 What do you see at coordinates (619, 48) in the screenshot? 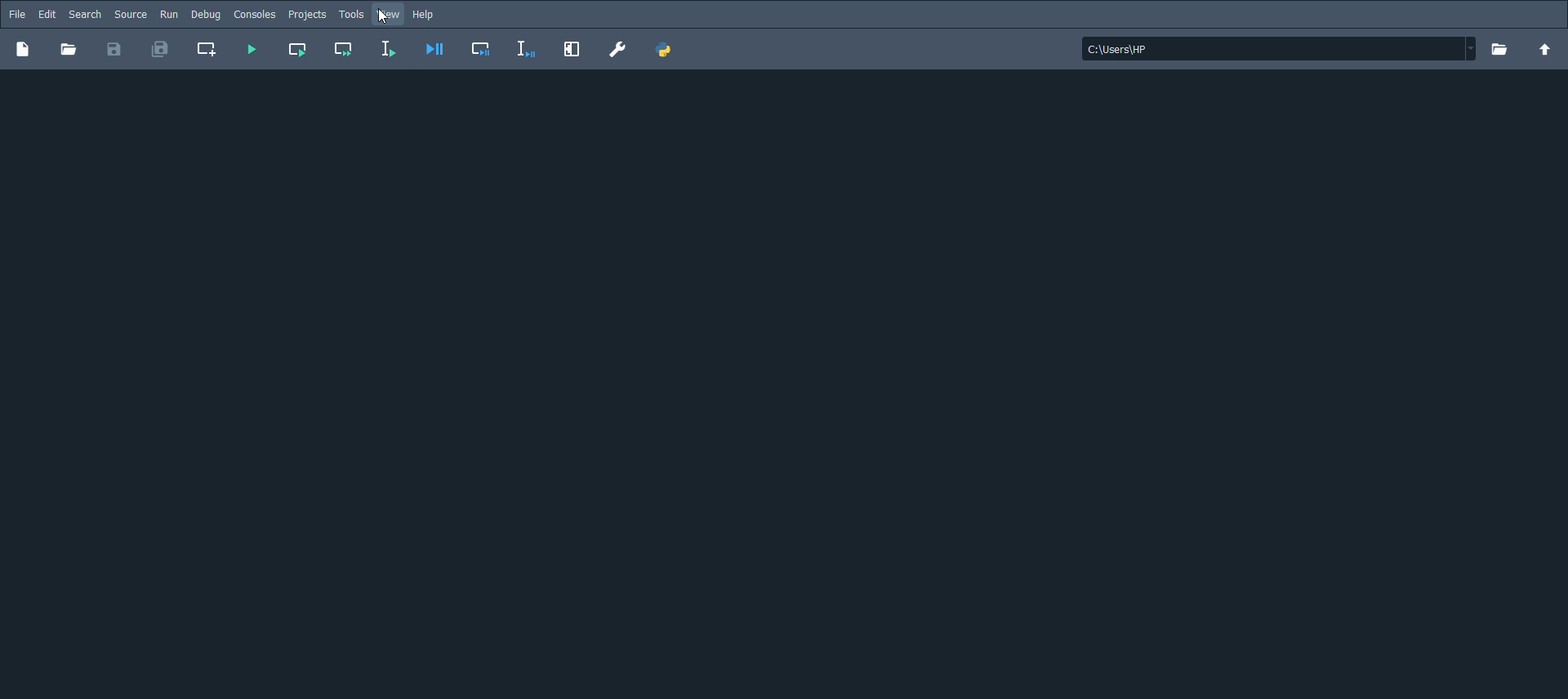
I see `Preferences` at bounding box center [619, 48].